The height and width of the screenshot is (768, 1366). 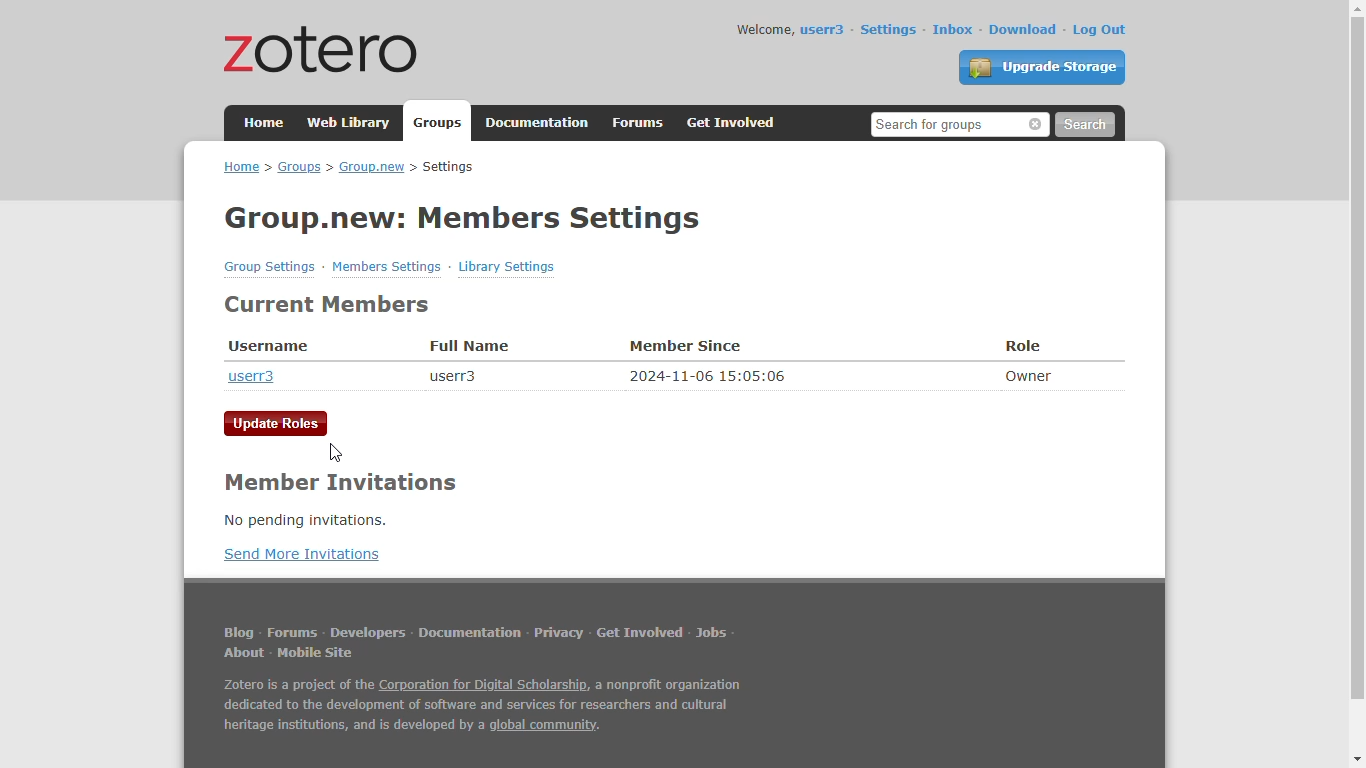 What do you see at coordinates (765, 29) in the screenshot?
I see `welcome,` at bounding box center [765, 29].